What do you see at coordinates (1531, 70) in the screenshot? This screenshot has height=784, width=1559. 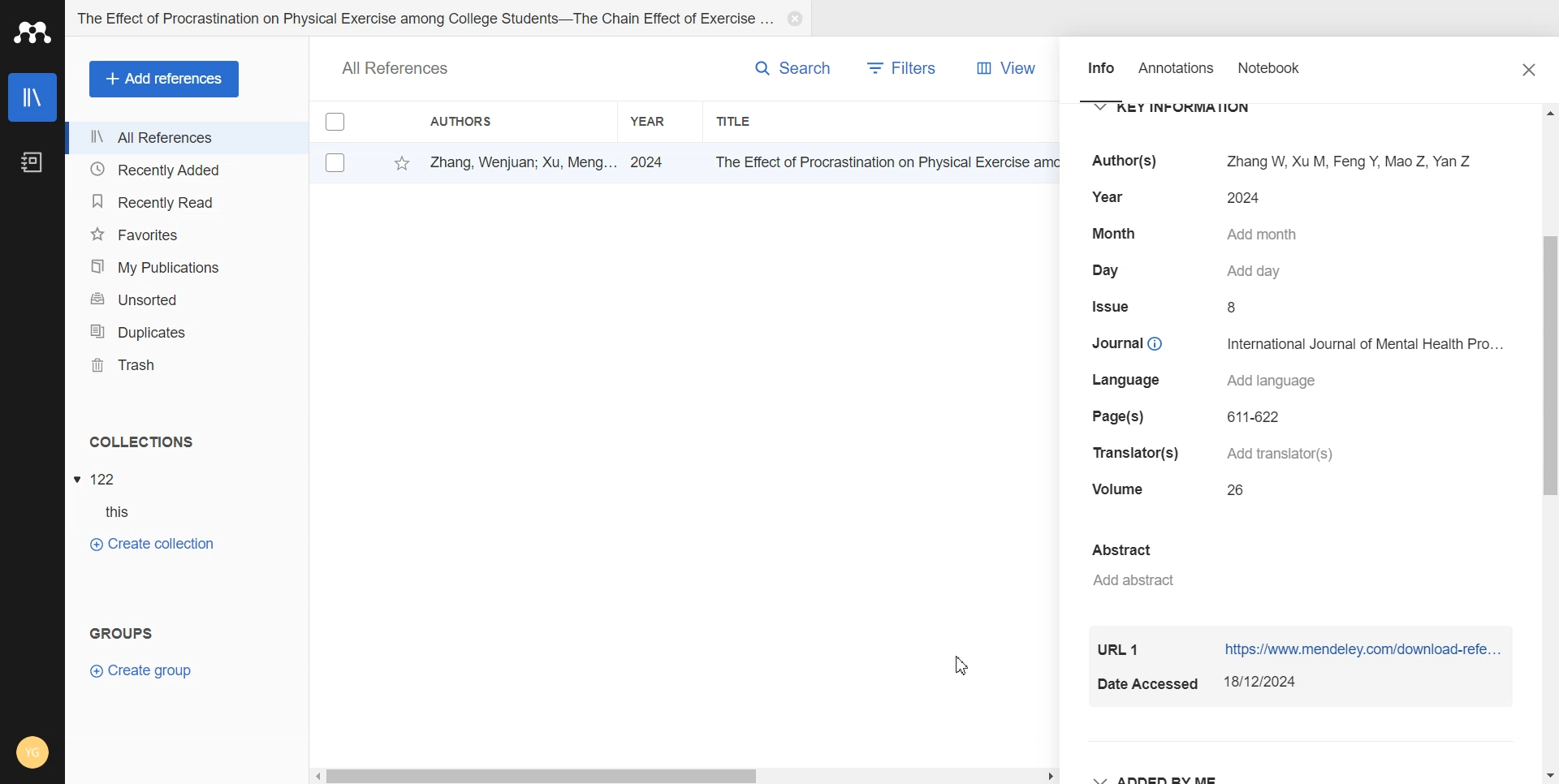 I see `Close` at bounding box center [1531, 70].